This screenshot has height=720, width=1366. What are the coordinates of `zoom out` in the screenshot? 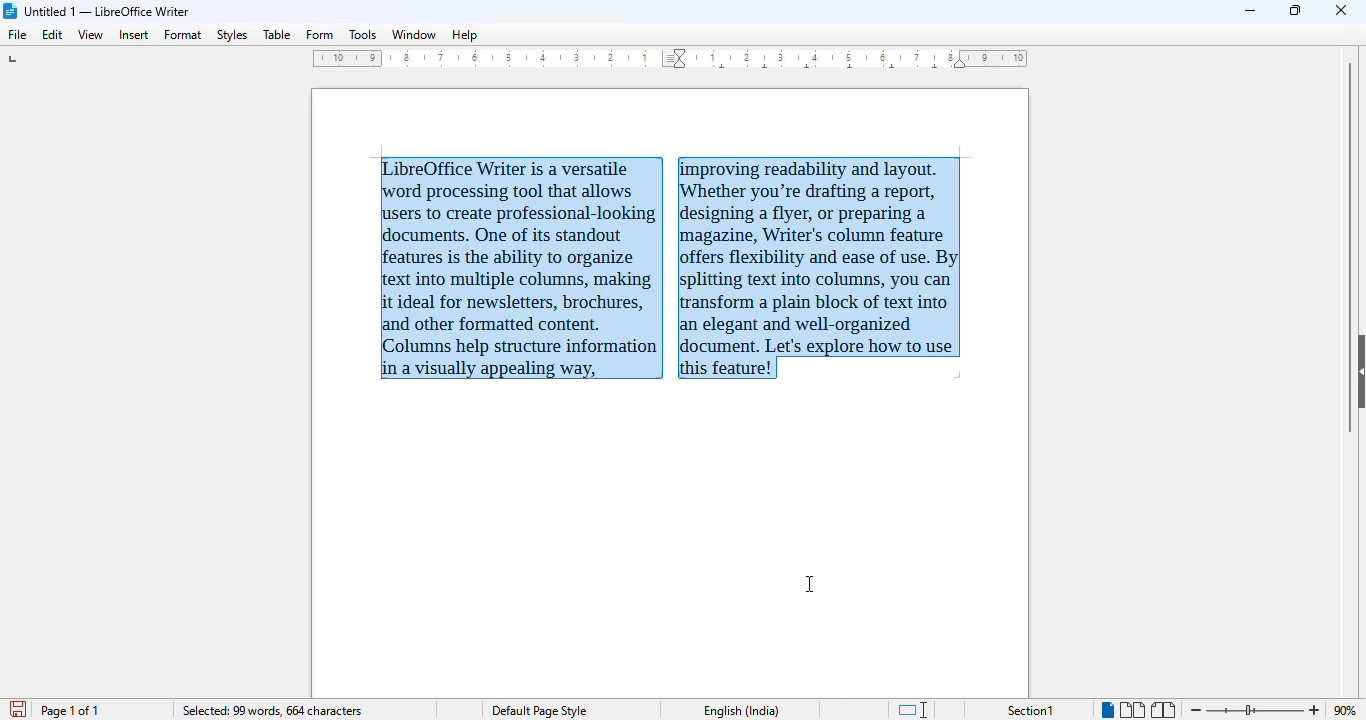 It's located at (1197, 709).